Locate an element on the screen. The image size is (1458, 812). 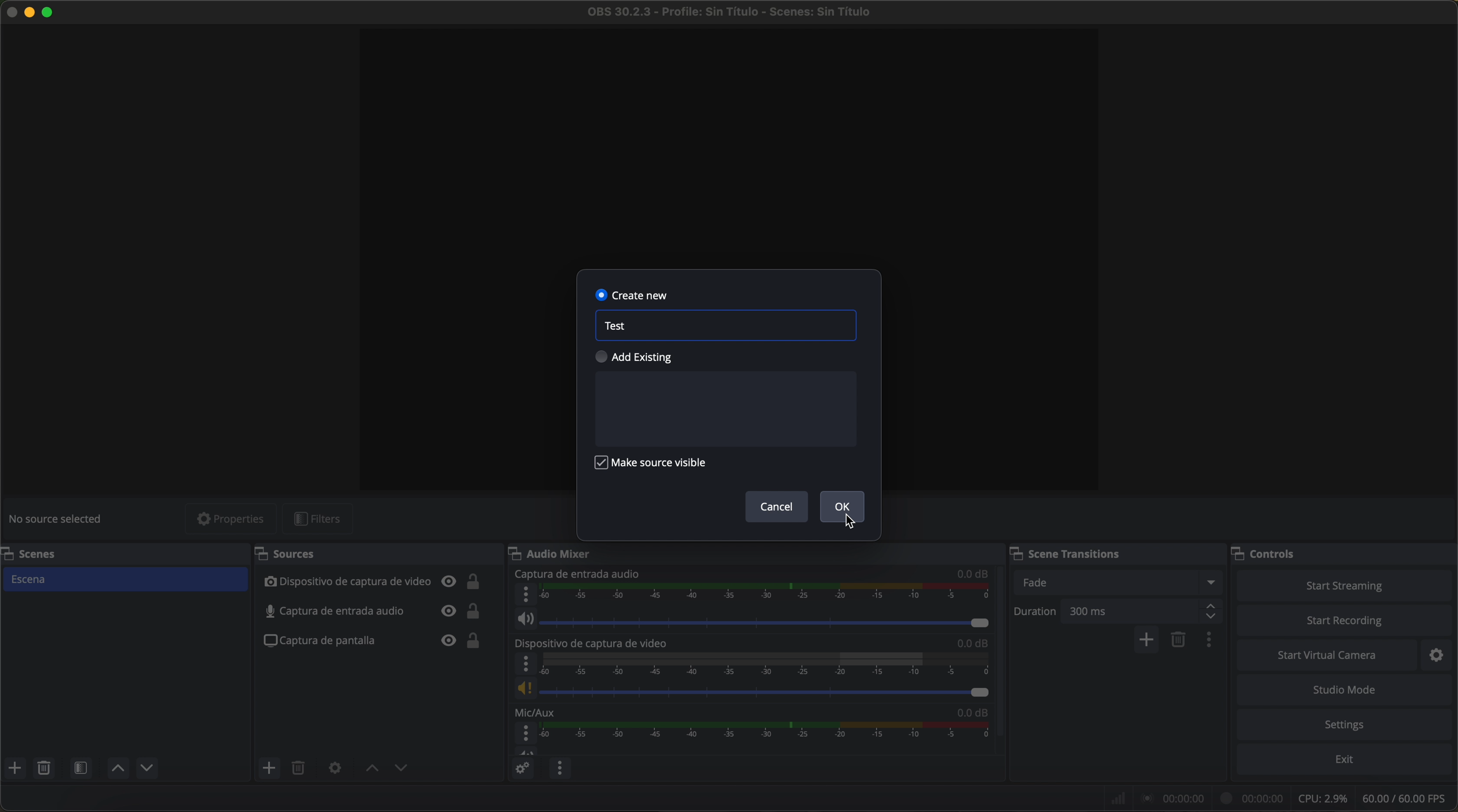
mic/aux is located at coordinates (535, 711).